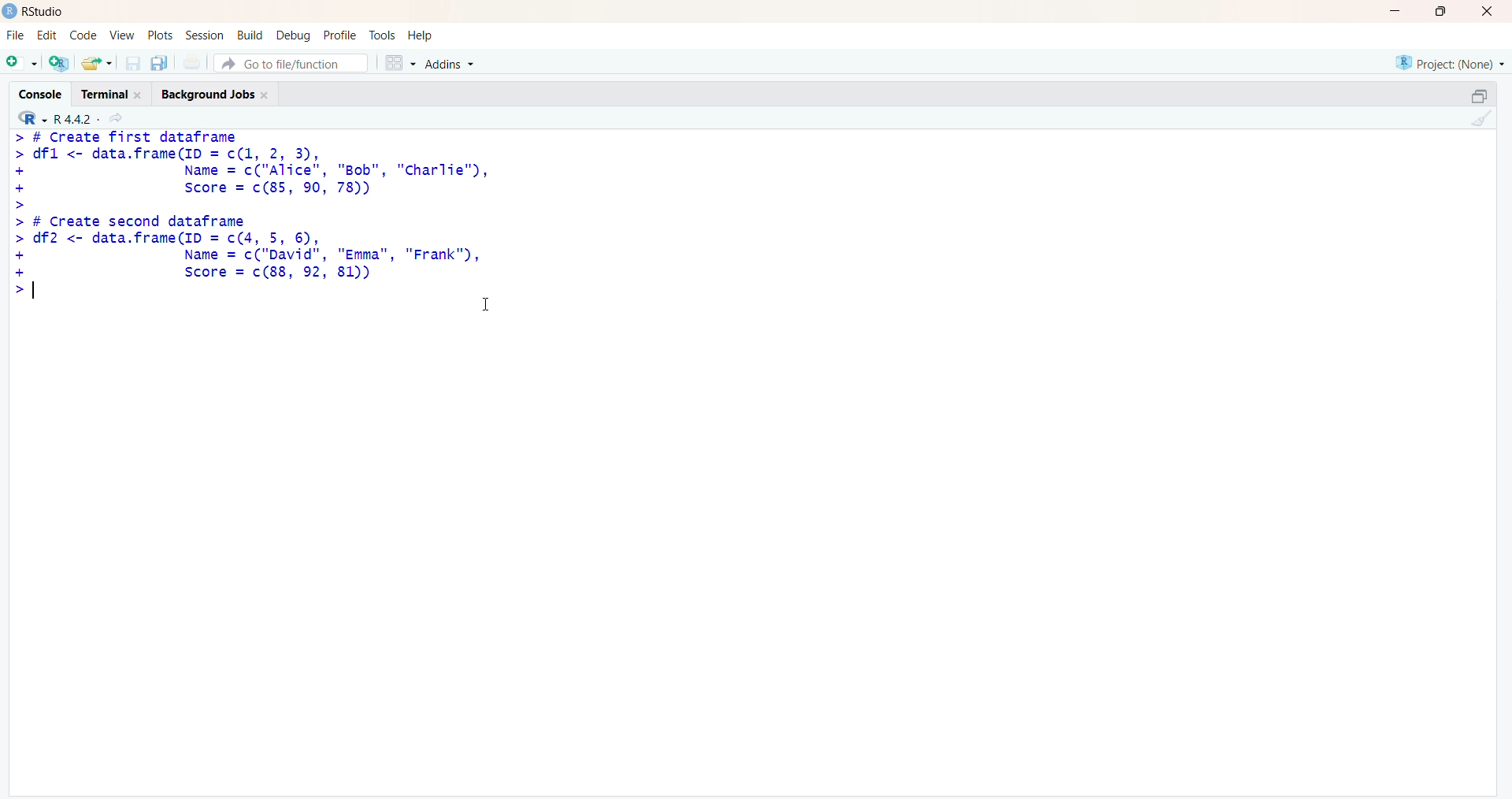  Describe the element at coordinates (50, 34) in the screenshot. I see `Edit` at that location.